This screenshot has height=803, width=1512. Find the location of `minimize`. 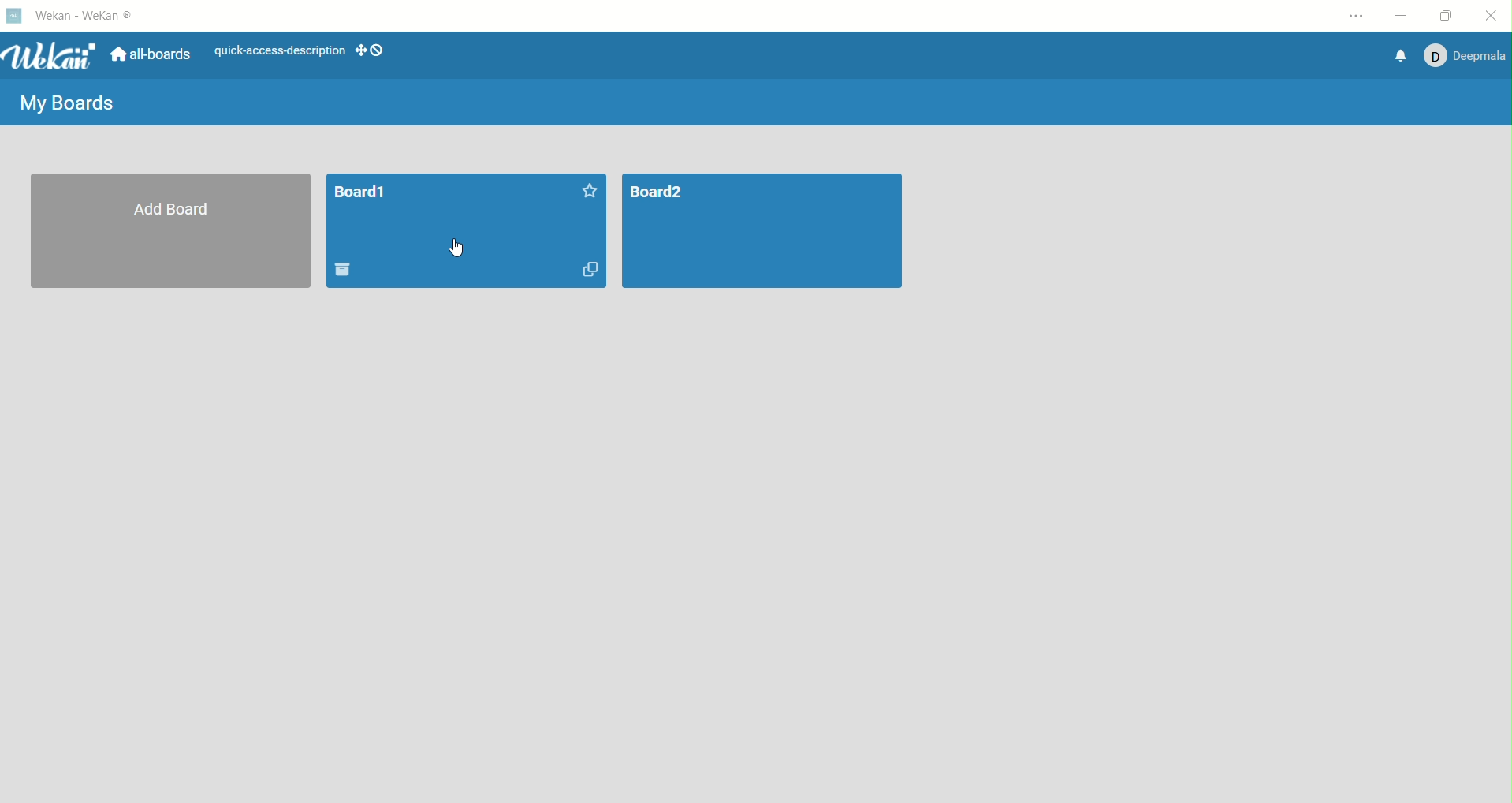

minimize is located at coordinates (1403, 17).